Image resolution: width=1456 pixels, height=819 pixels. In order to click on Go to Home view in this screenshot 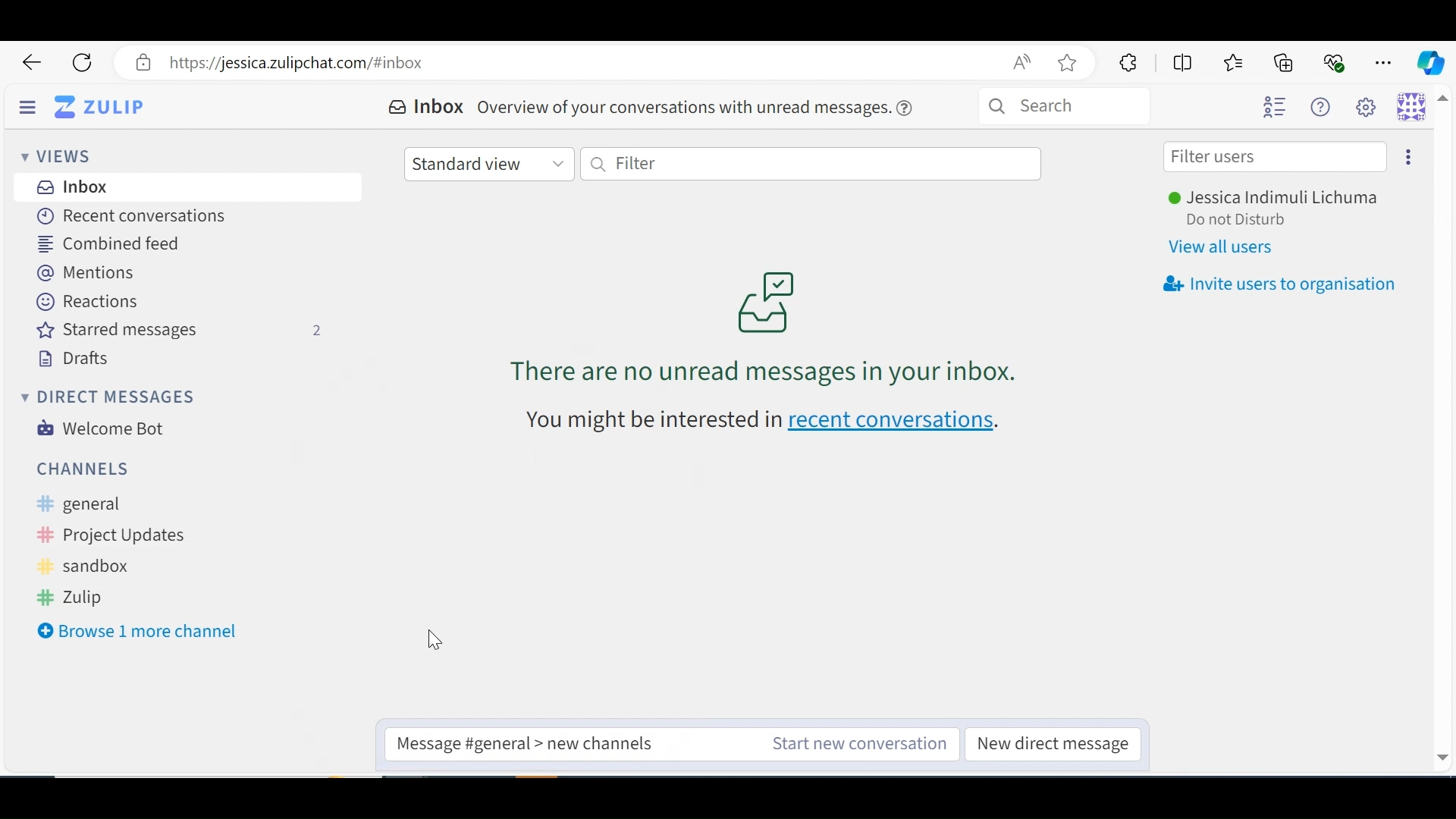, I will do `click(111, 106)`.